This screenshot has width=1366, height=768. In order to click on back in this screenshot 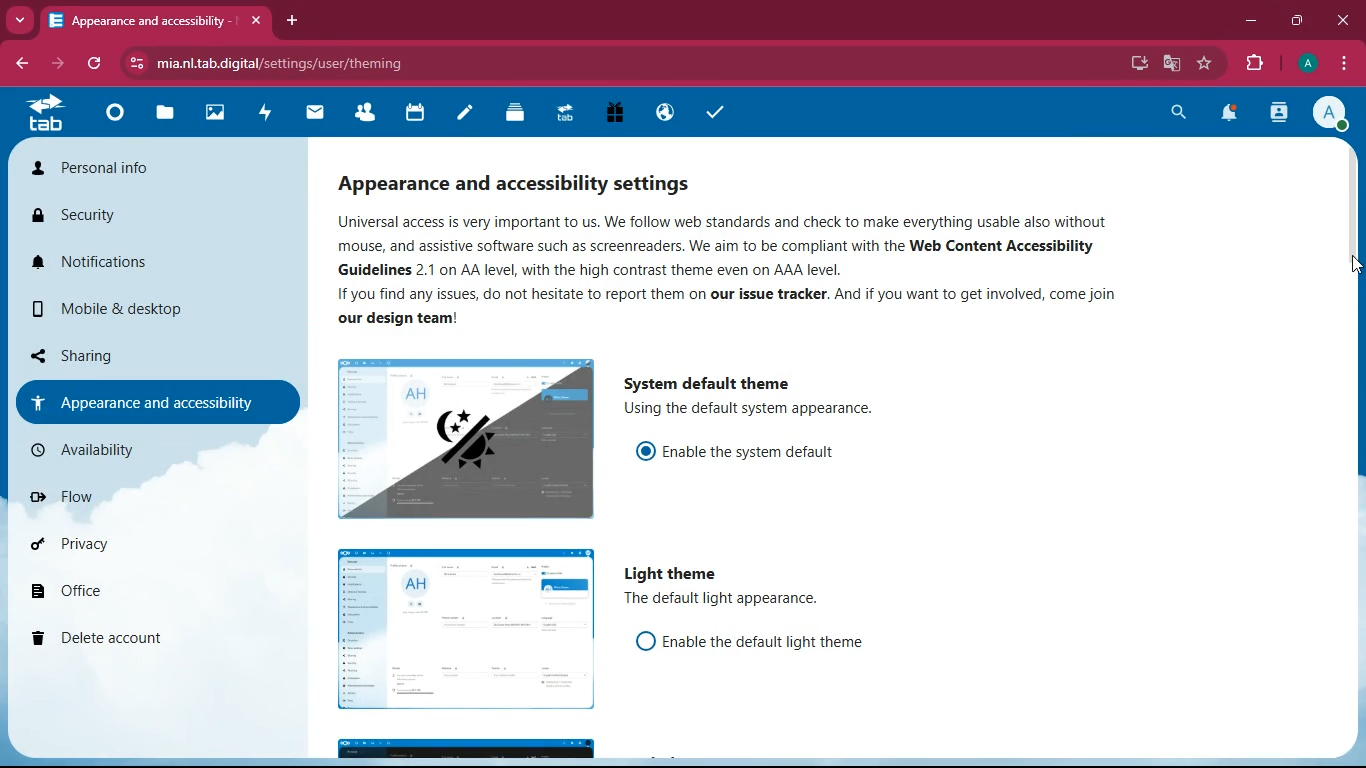, I will do `click(22, 64)`.